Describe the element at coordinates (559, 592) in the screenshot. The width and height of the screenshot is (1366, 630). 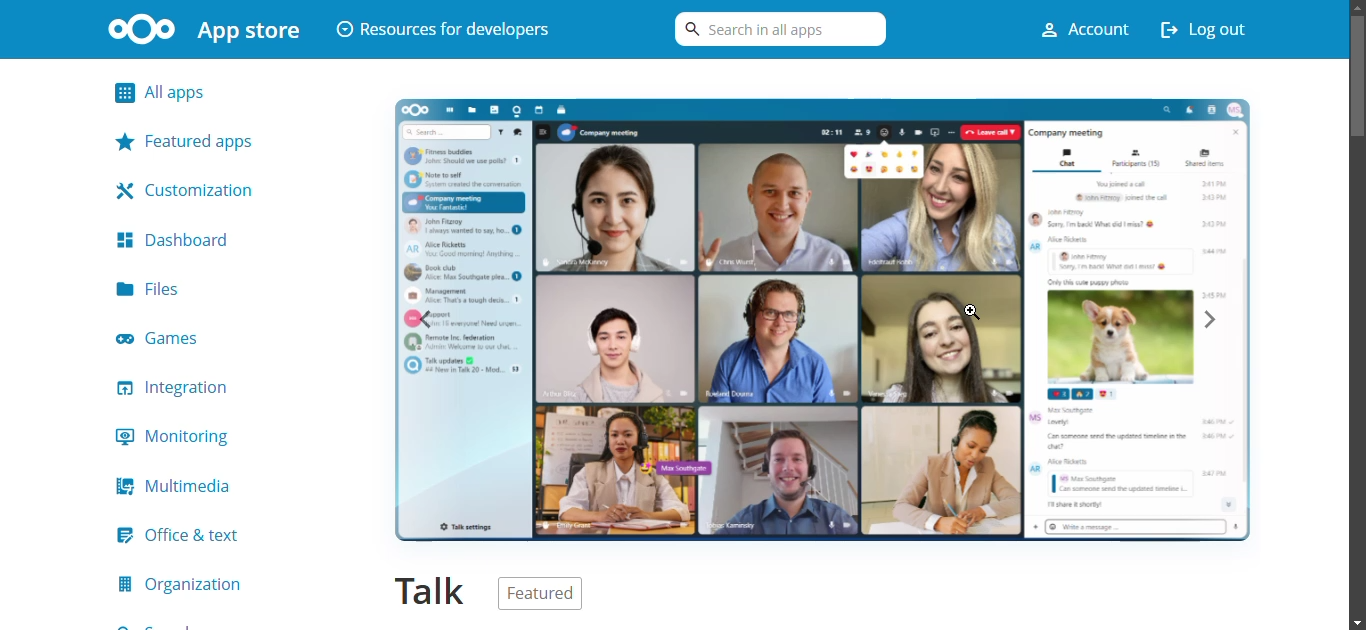
I see `featured` at that location.